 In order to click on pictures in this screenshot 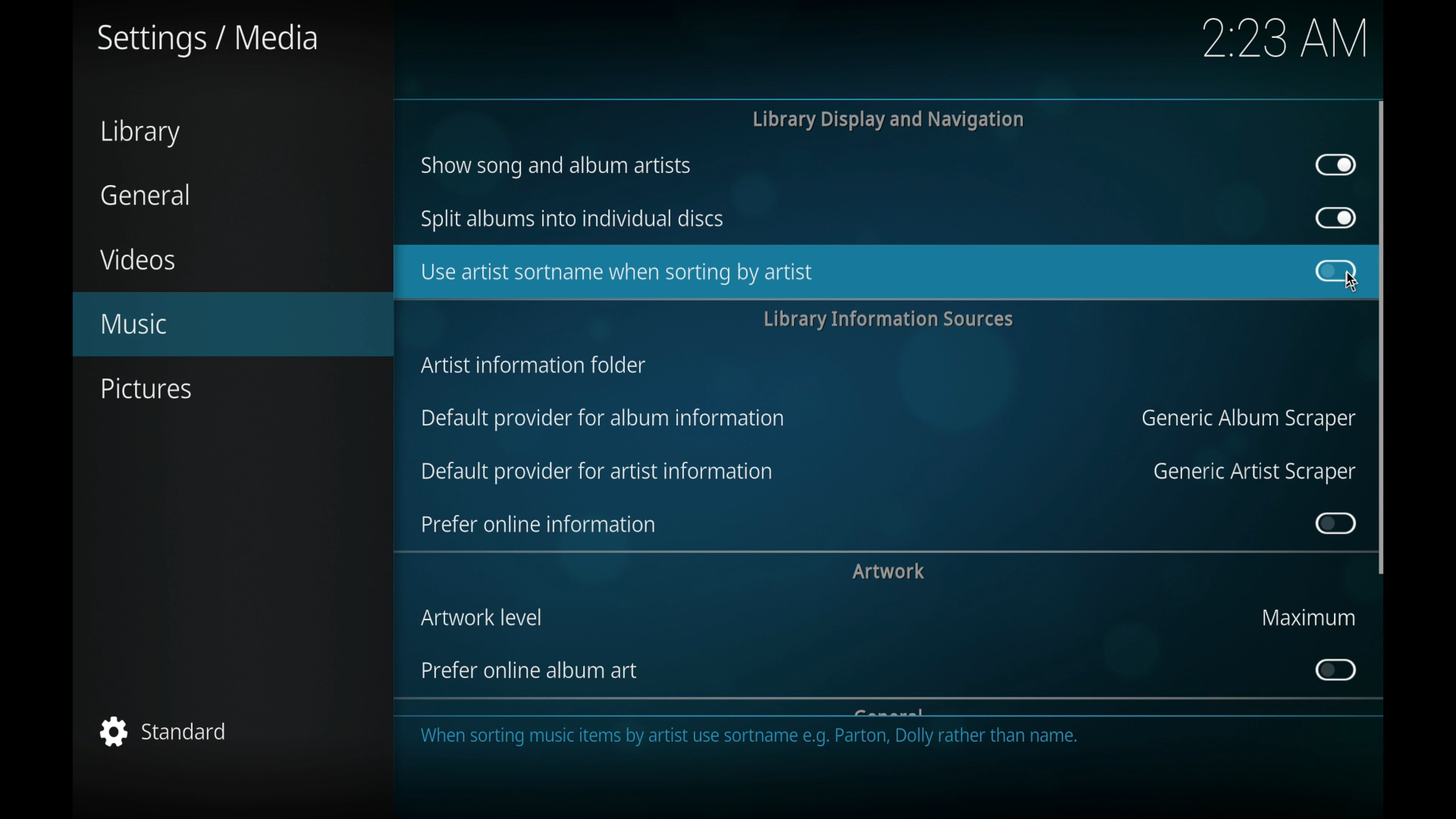, I will do `click(149, 389)`.